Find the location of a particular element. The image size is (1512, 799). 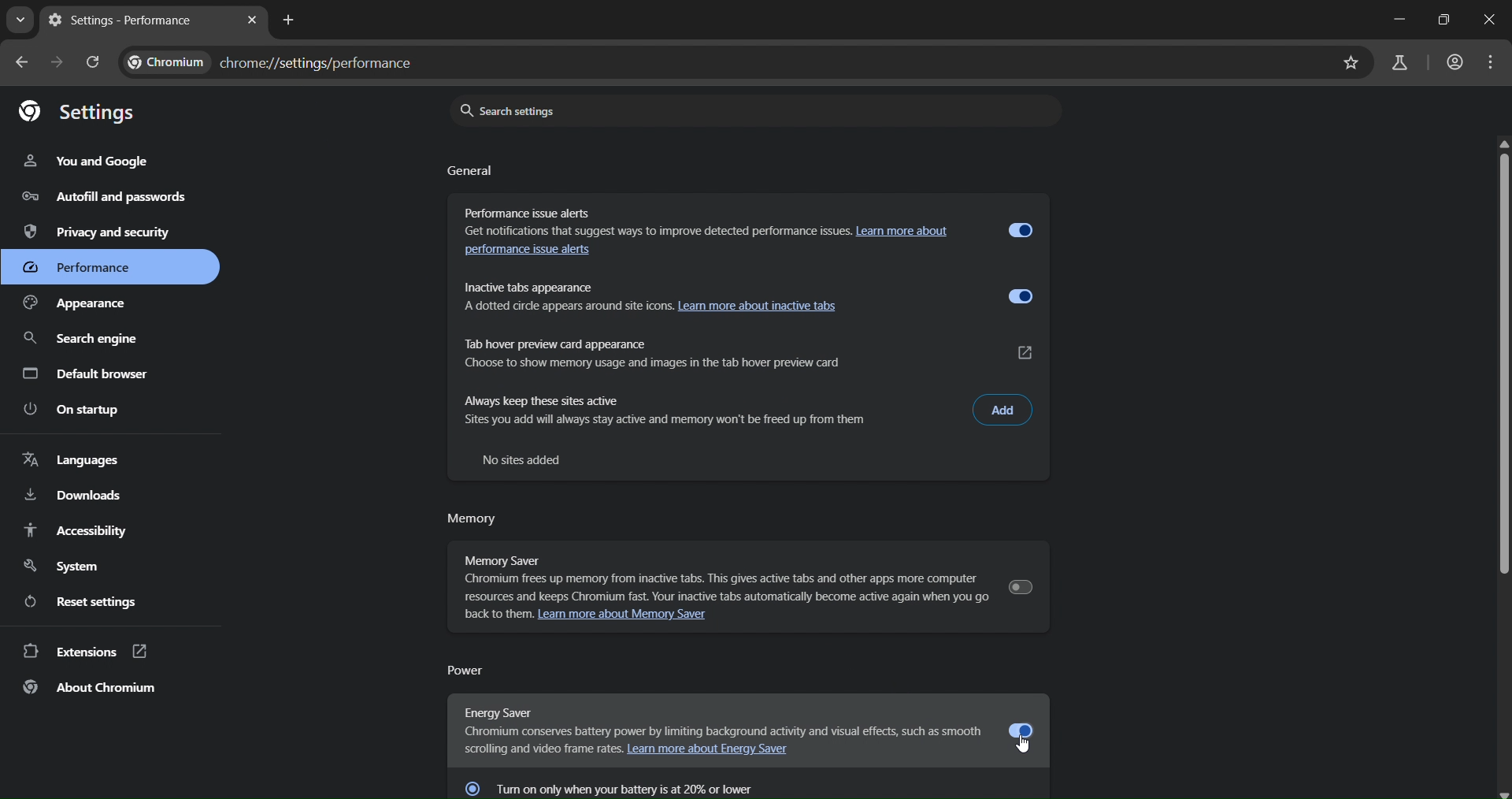

slidebar is located at coordinates (1503, 359).